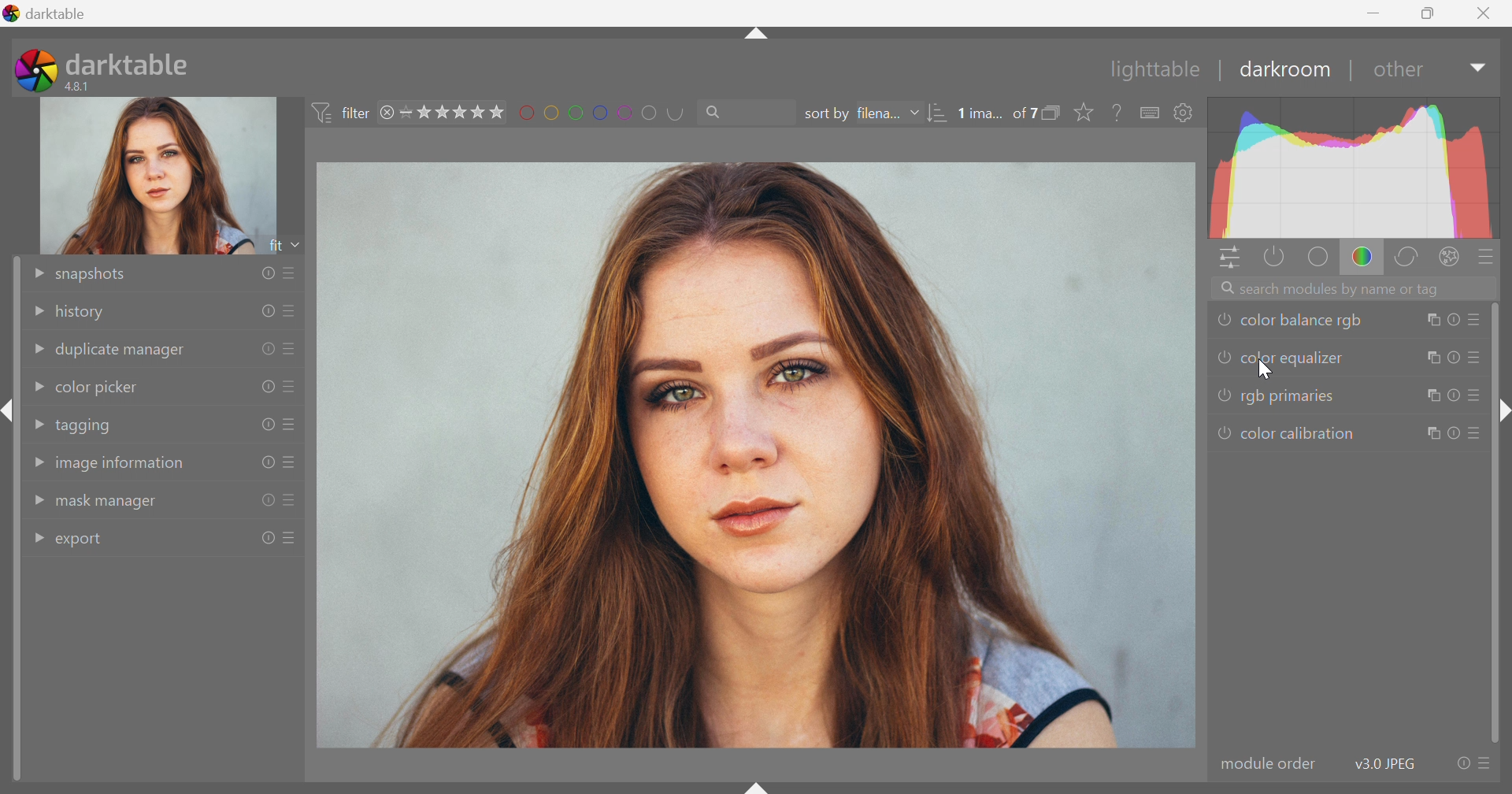  I want to click on presets, so click(1488, 256).